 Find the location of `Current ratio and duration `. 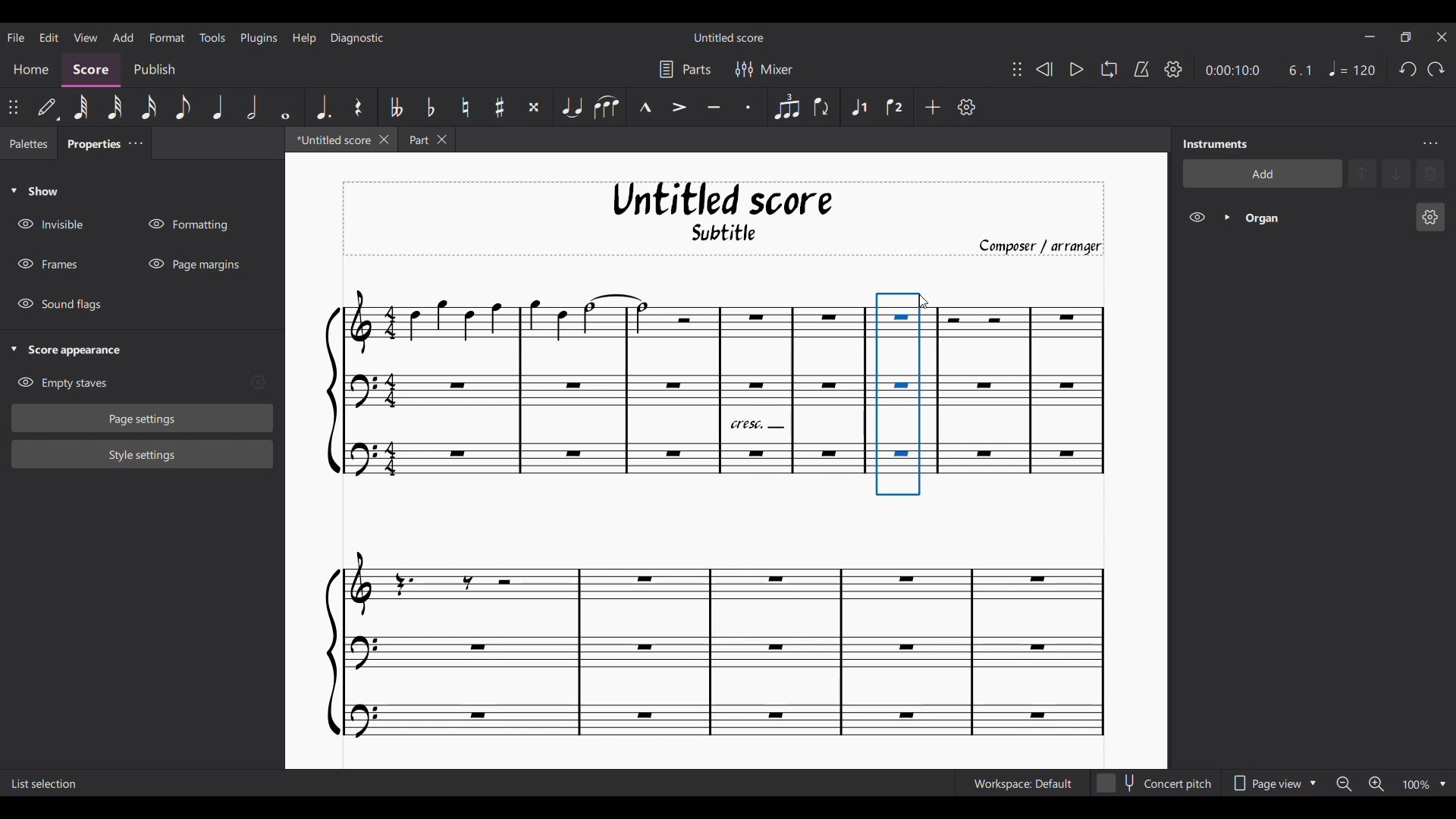

Current ratio and duration  is located at coordinates (1260, 71).